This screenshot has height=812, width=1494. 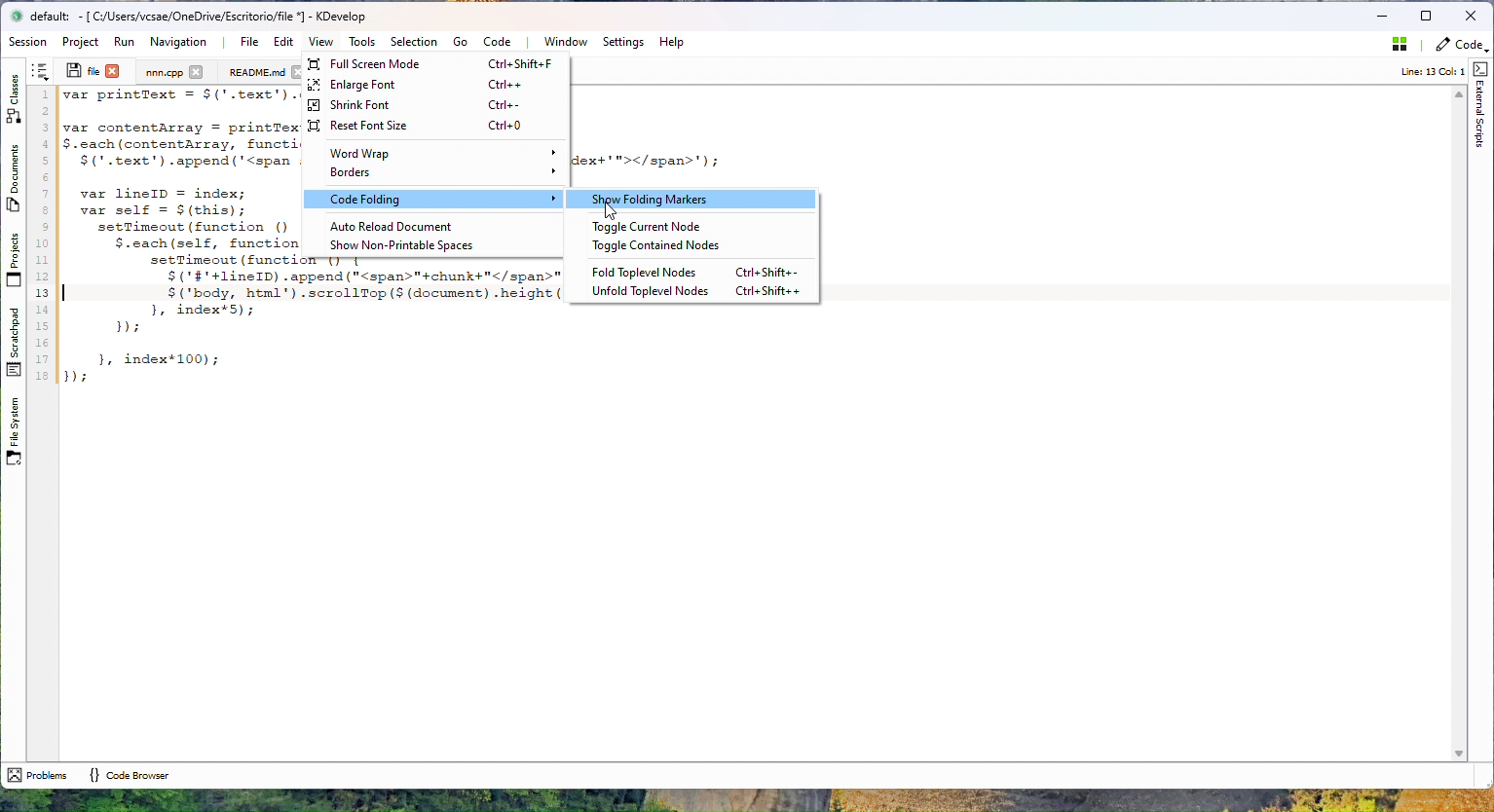 I want to click on Show non printable spaces, so click(x=431, y=245).